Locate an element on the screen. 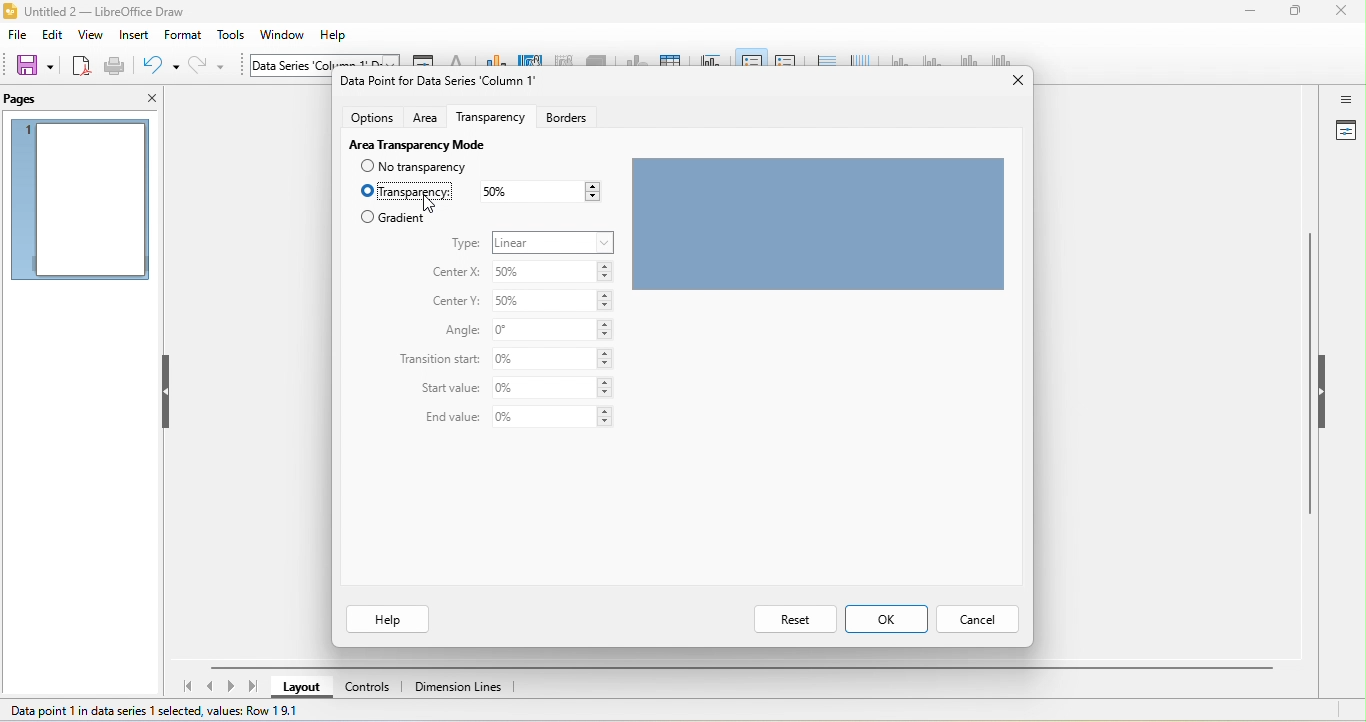  window is located at coordinates (288, 35).